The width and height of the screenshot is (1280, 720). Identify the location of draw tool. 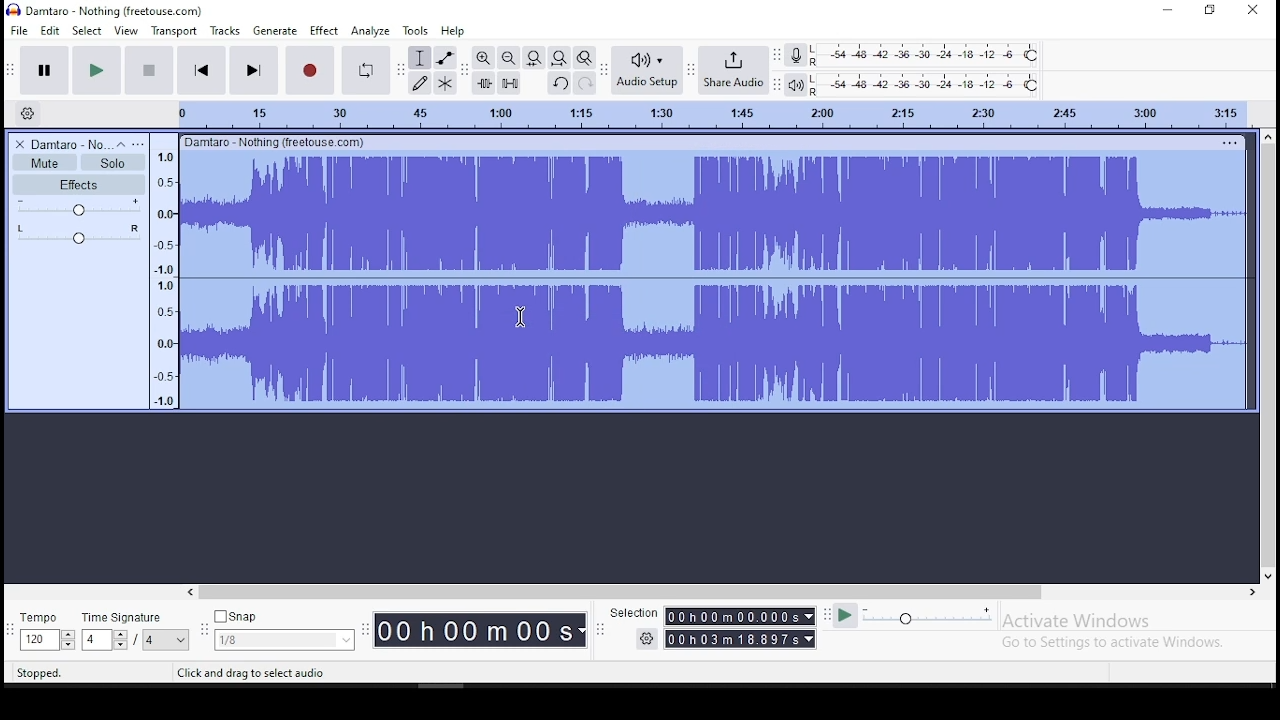
(417, 83).